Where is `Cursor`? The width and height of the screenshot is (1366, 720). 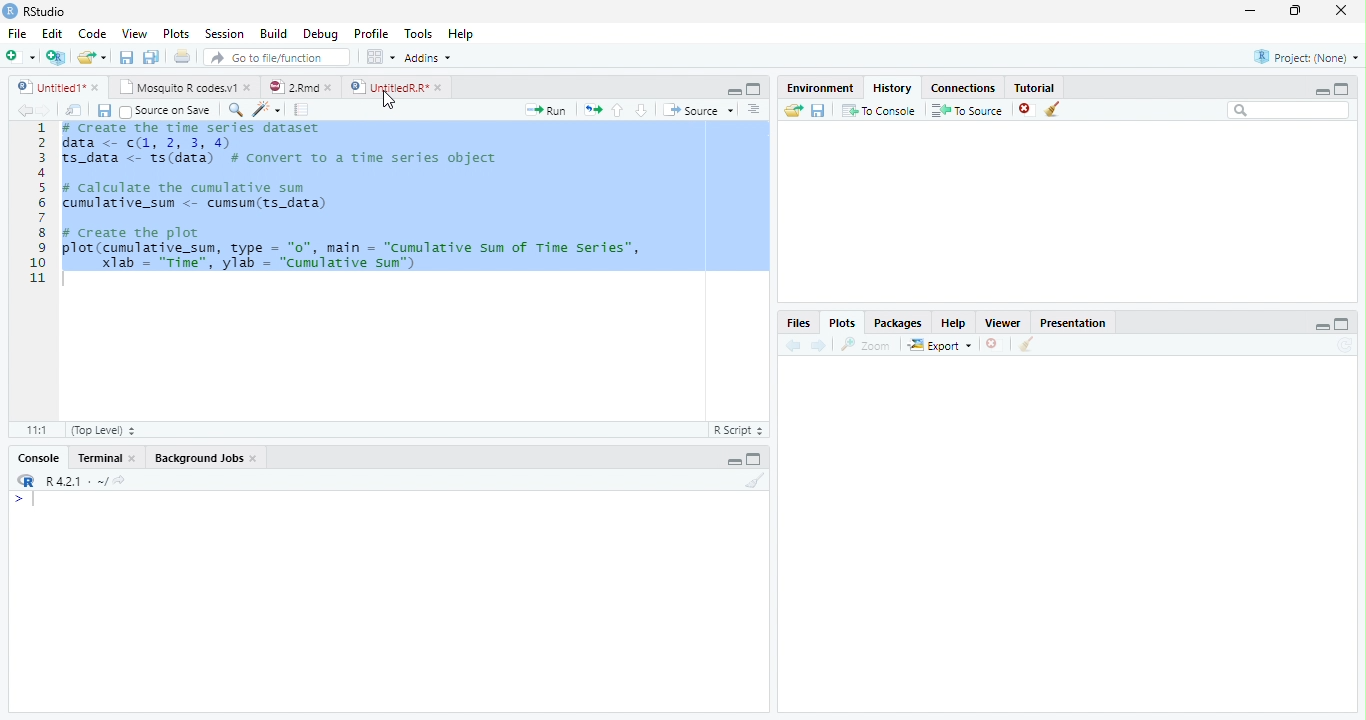
Cursor is located at coordinates (68, 97).